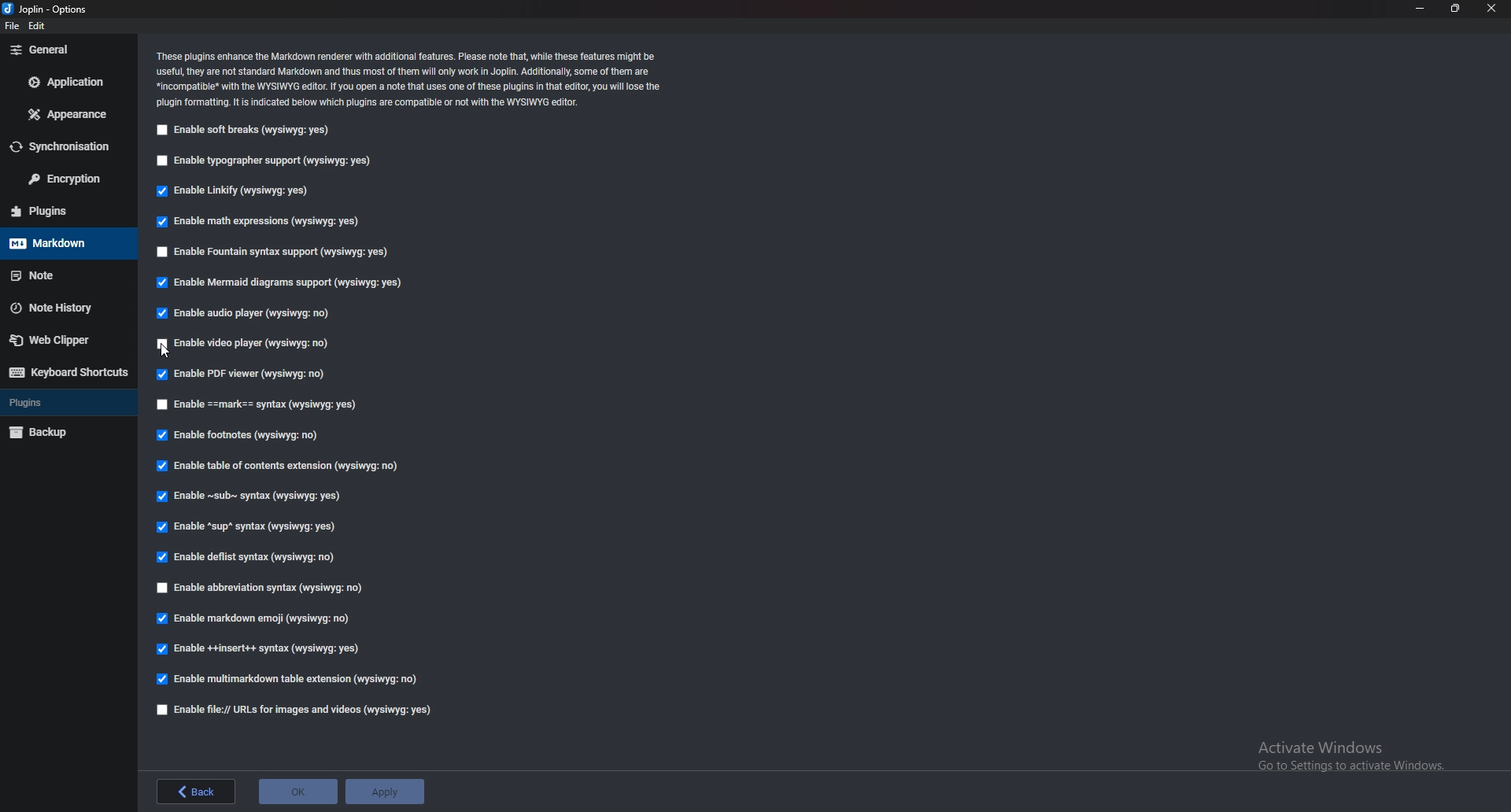 The image size is (1511, 812). I want to click on enable audio player, so click(249, 312).